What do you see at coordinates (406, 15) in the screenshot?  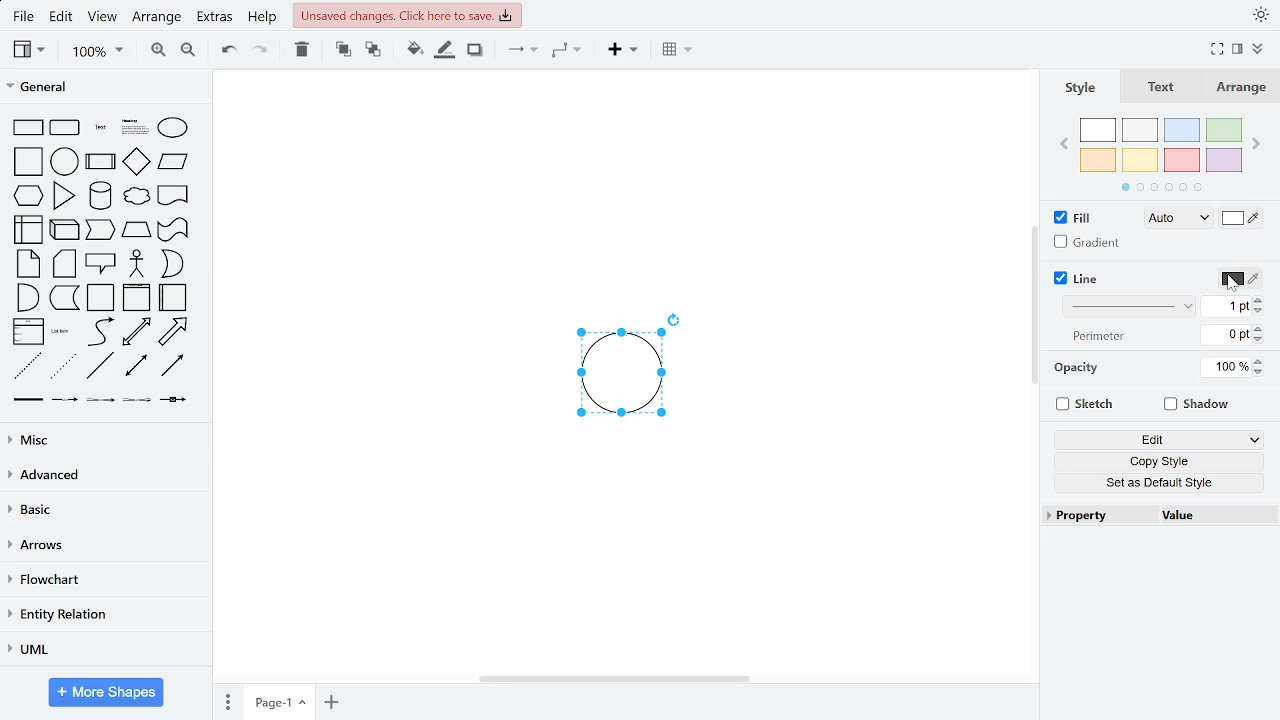 I see `unsaved changes. Click here to save` at bounding box center [406, 15].